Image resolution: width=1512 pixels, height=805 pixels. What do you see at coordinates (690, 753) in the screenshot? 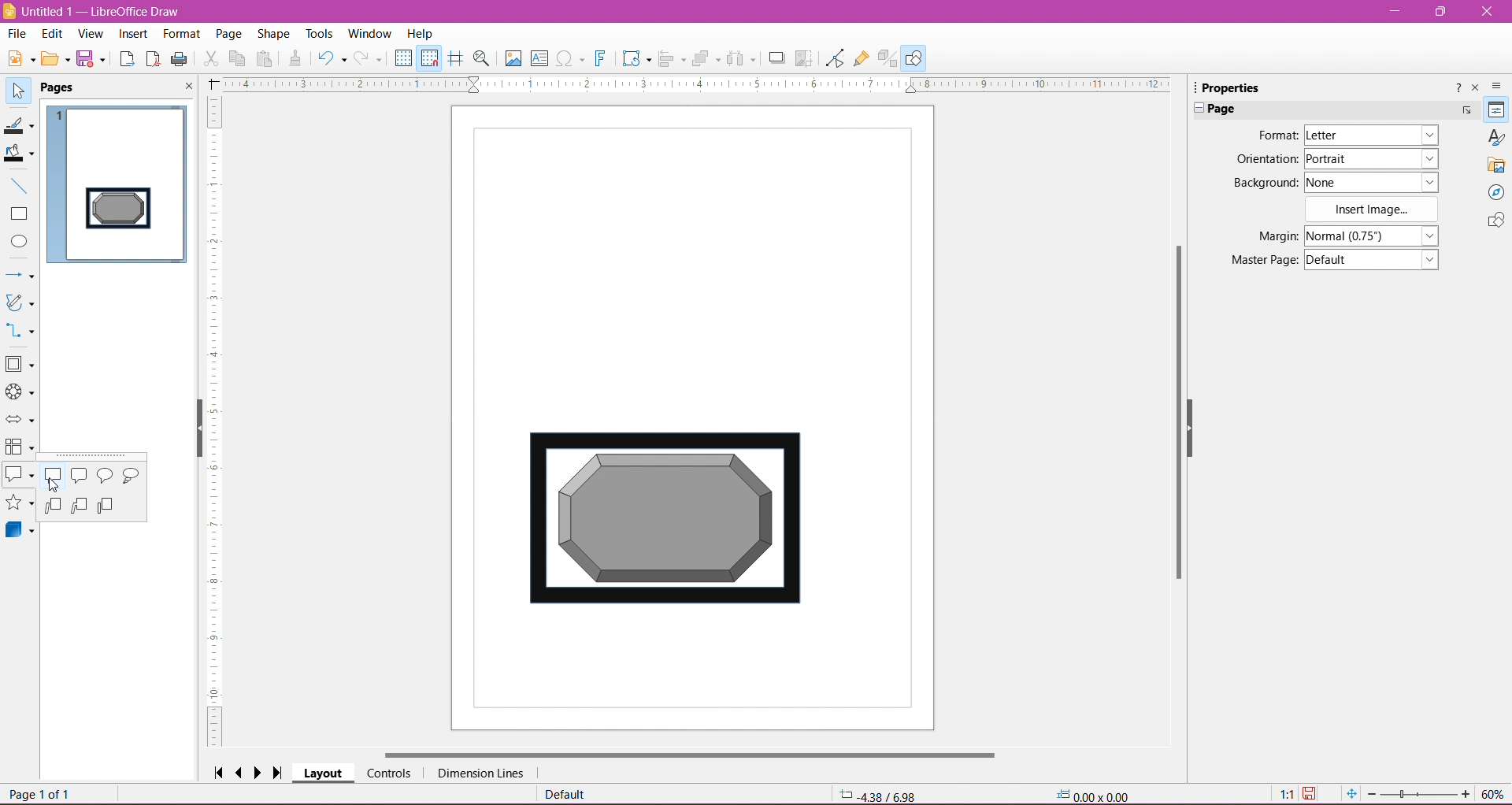
I see `Horizontal Scroll Bar` at bounding box center [690, 753].